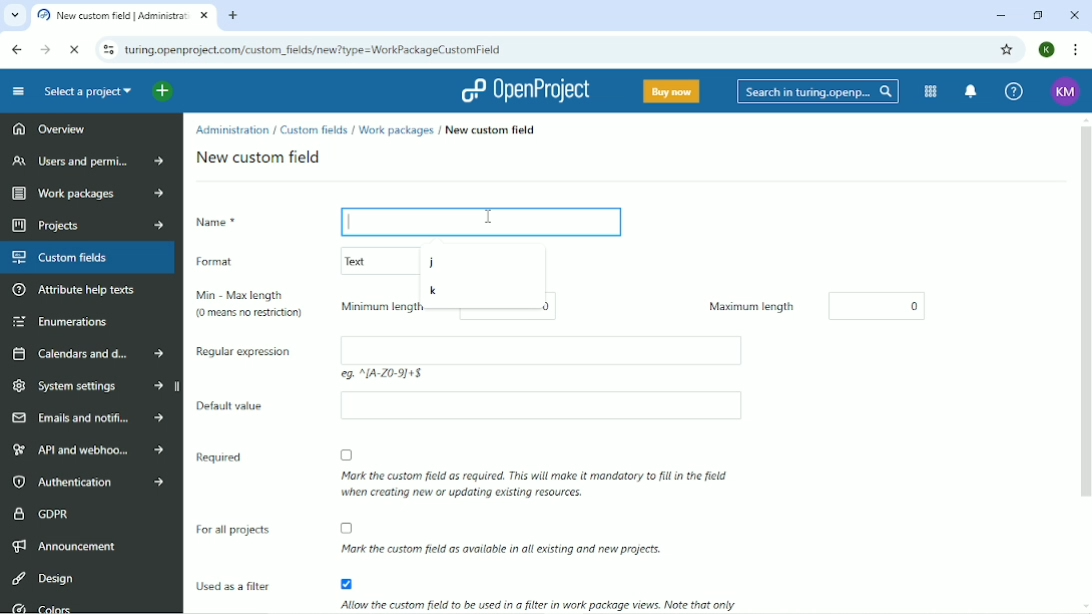  What do you see at coordinates (433, 262) in the screenshot?
I see `j` at bounding box center [433, 262].